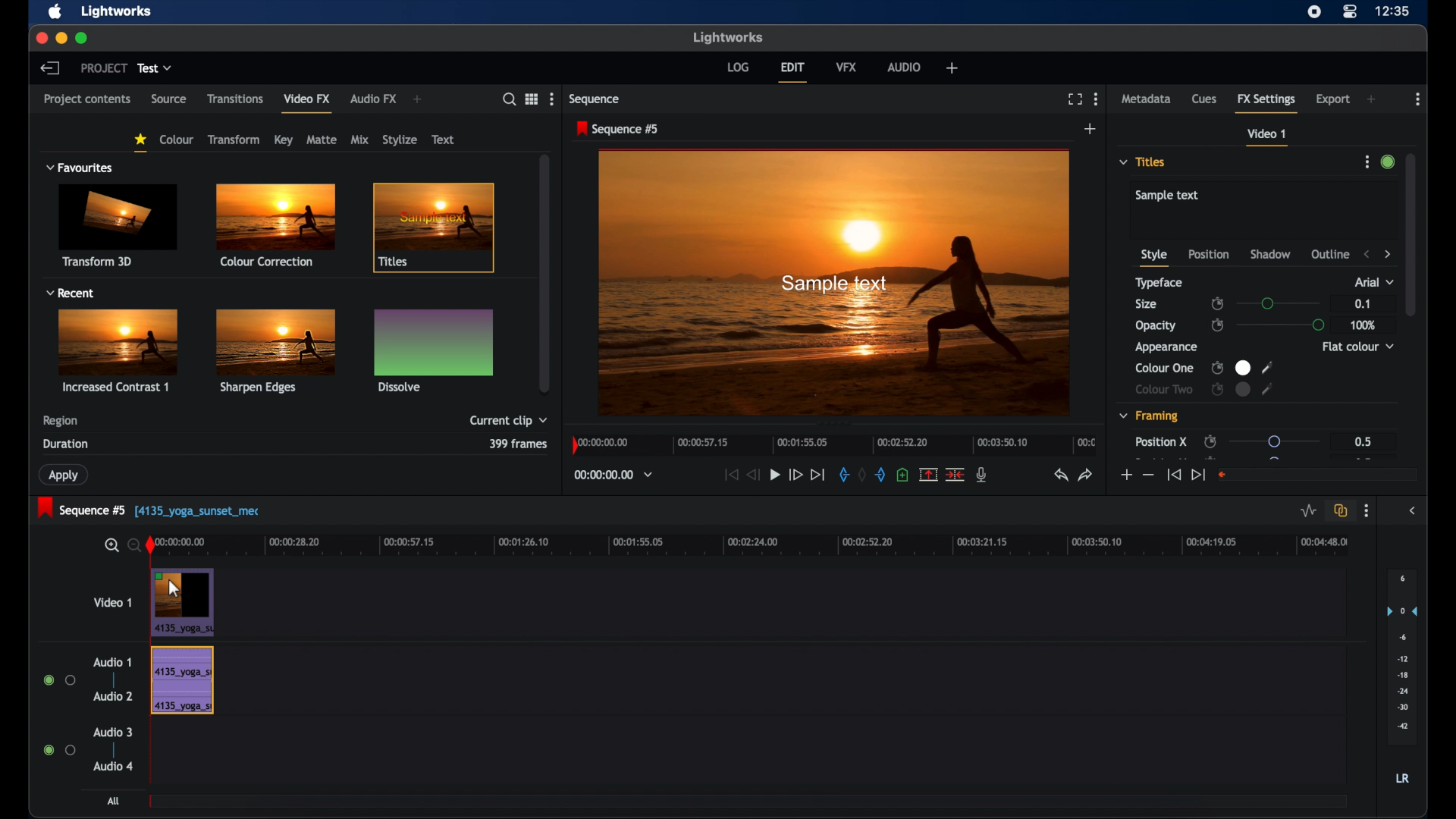 This screenshot has width=1456, height=819. Describe the element at coordinates (185, 579) in the screenshot. I see `drag cursor` at that location.